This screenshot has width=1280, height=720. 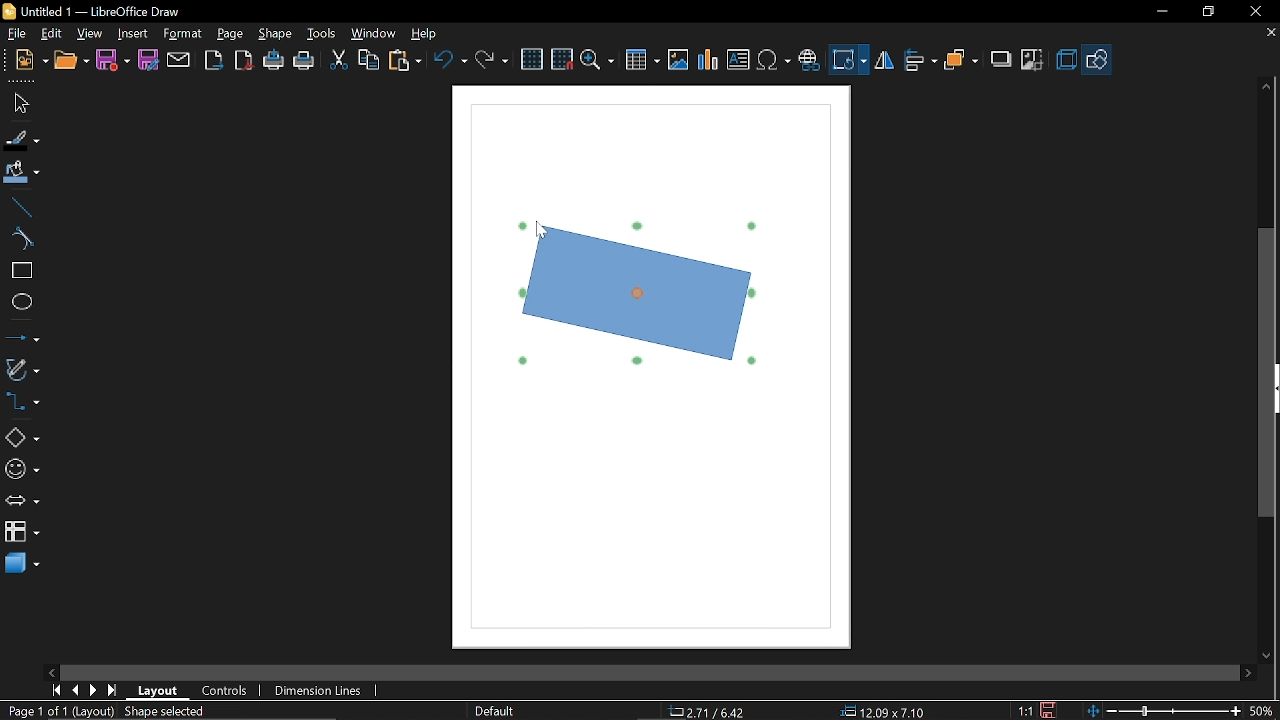 I want to click on Current diagram, so click(x=636, y=292).